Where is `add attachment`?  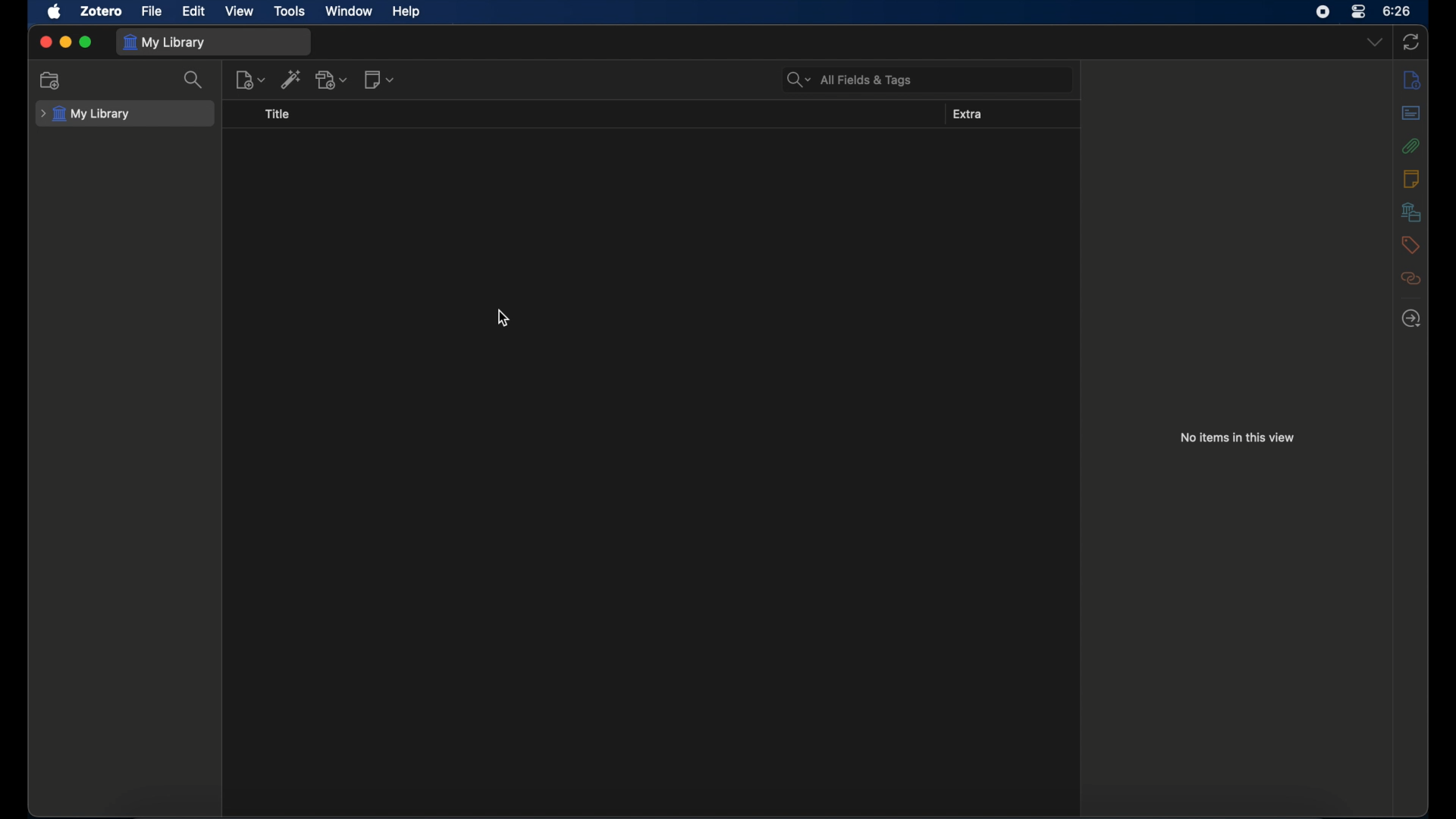
add attachment is located at coordinates (331, 80).